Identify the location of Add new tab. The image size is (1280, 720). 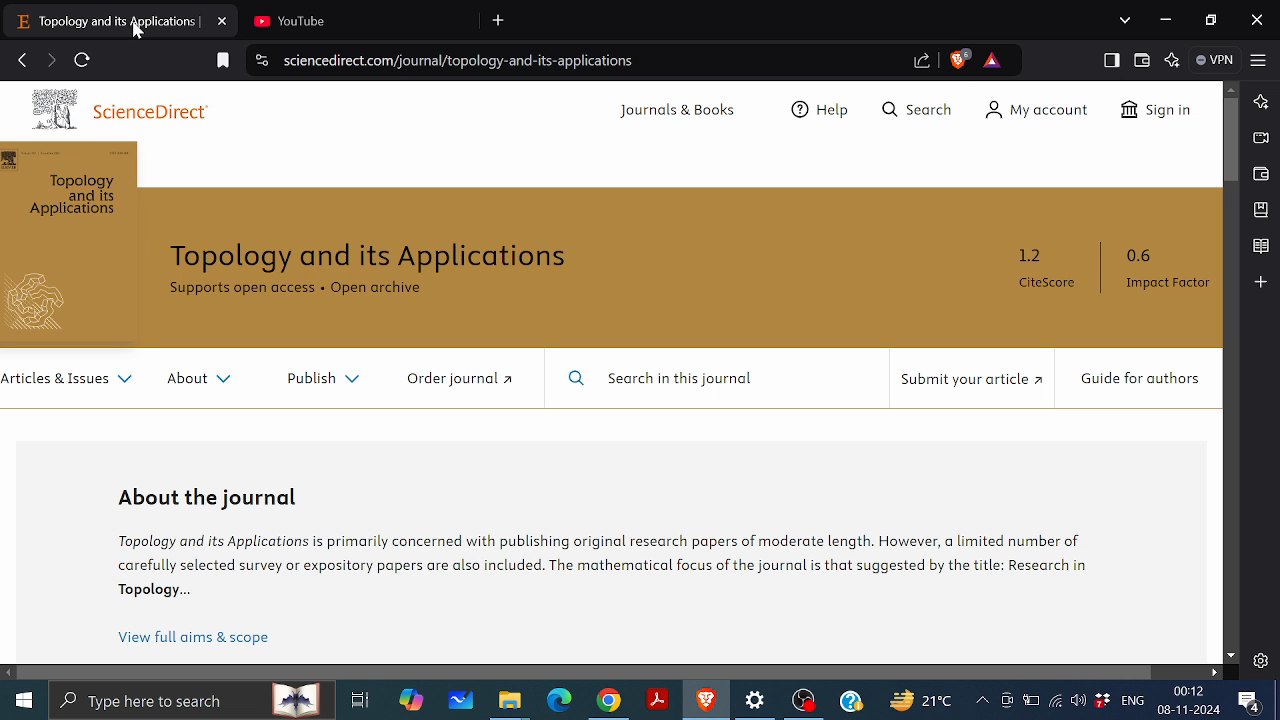
(500, 21).